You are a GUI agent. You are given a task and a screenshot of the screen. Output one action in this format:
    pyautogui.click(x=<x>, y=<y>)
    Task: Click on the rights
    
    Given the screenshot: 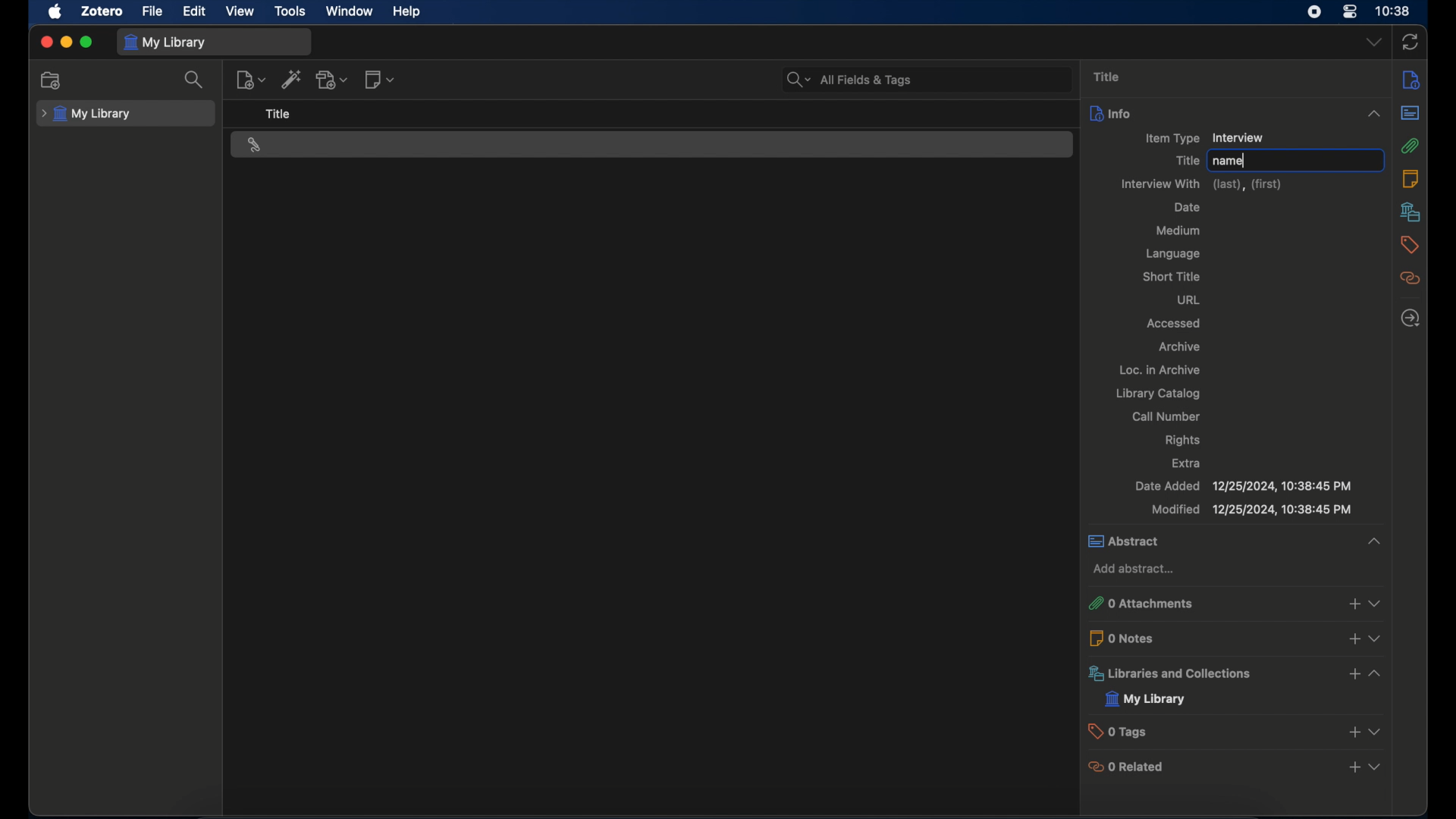 What is the action you would take?
    pyautogui.click(x=1185, y=441)
    